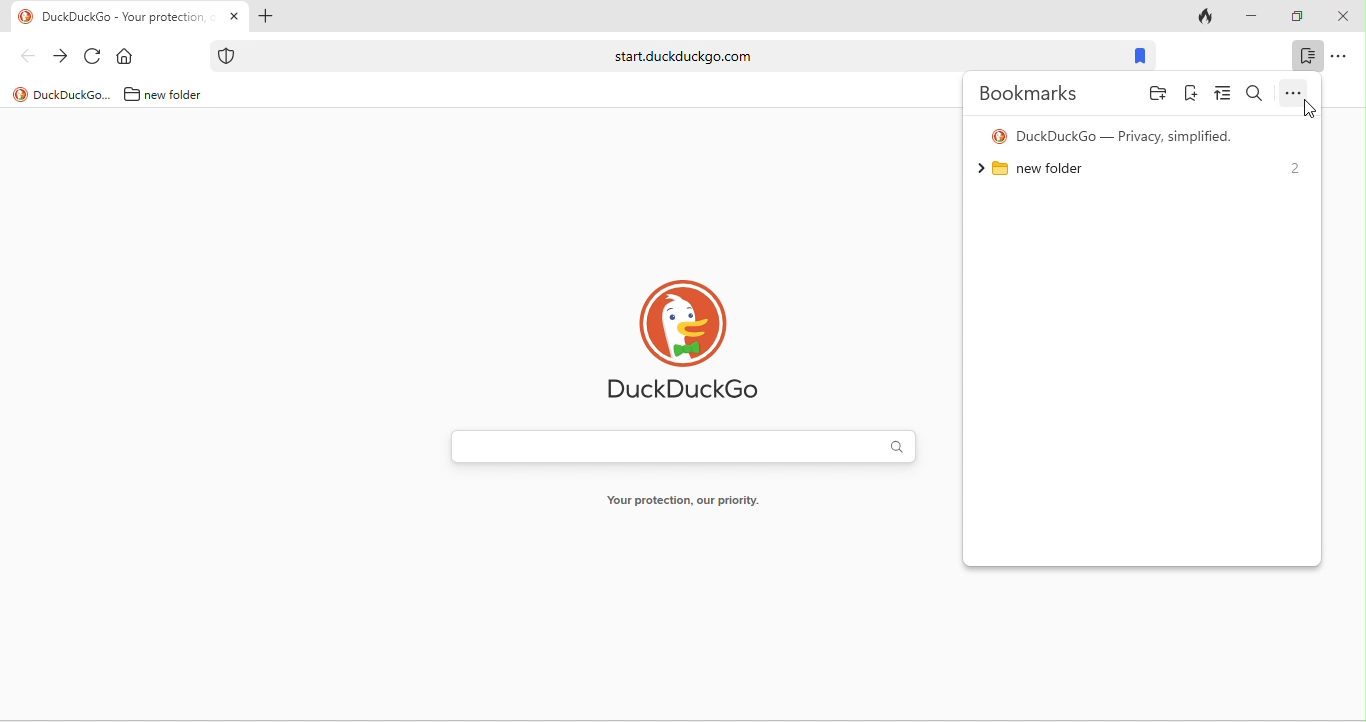 The height and width of the screenshot is (722, 1366). Describe the element at coordinates (1115, 137) in the screenshot. I see `duck duck go - privacy simplified` at that location.